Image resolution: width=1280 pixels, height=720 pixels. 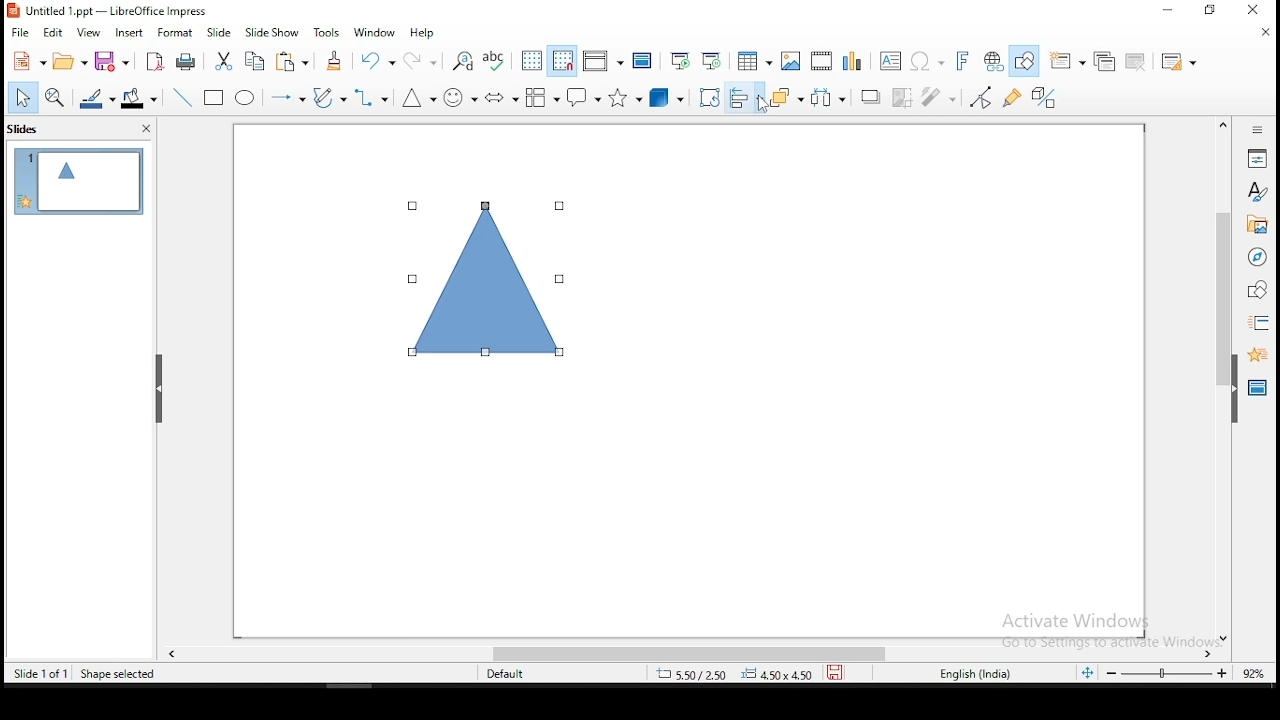 What do you see at coordinates (497, 61) in the screenshot?
I see `spell check` at bounding box center [497, 61].